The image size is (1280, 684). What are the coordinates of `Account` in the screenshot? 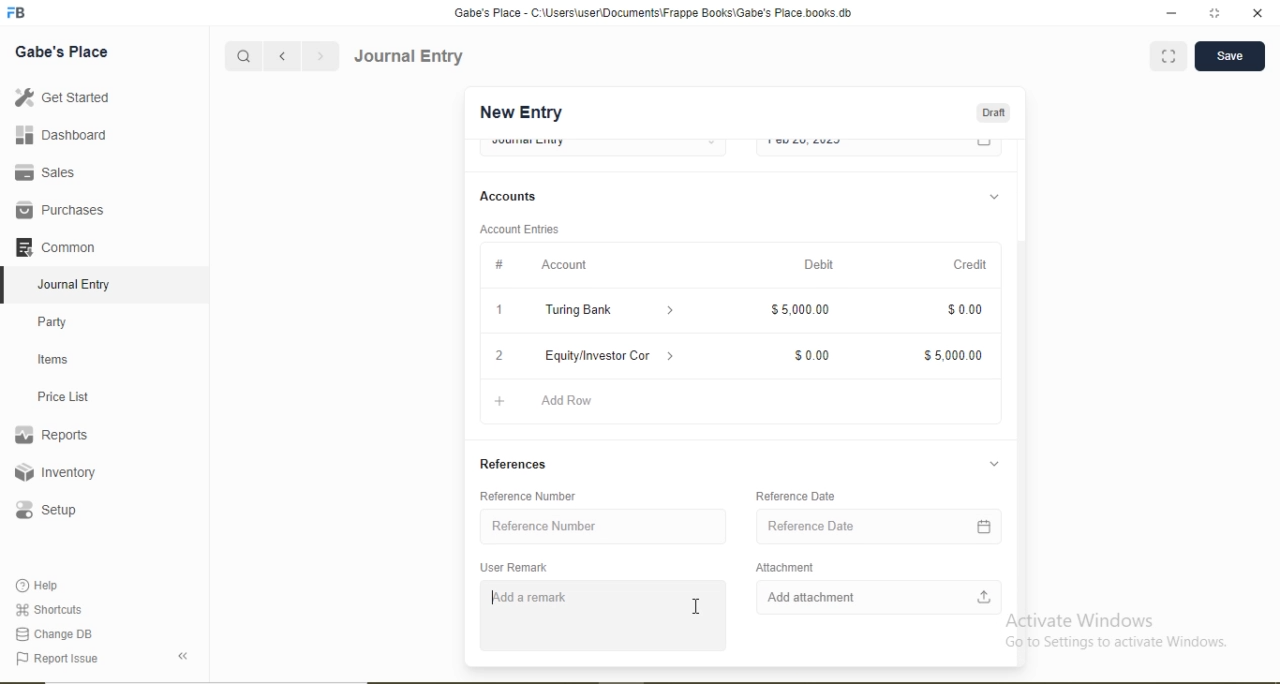 It's located at (566, 264).